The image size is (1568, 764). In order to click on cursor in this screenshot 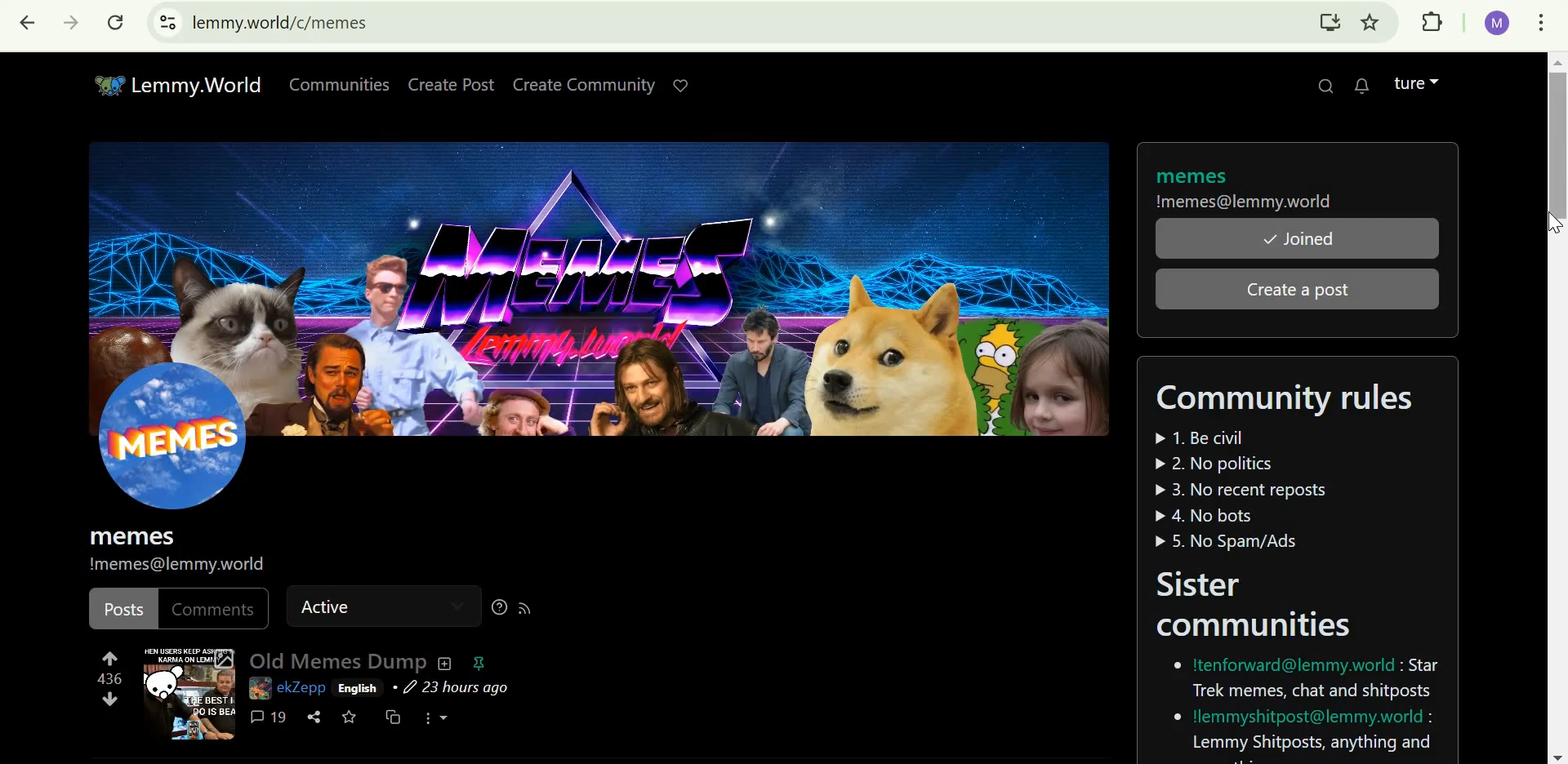, I will do `click(1550, 226)`.